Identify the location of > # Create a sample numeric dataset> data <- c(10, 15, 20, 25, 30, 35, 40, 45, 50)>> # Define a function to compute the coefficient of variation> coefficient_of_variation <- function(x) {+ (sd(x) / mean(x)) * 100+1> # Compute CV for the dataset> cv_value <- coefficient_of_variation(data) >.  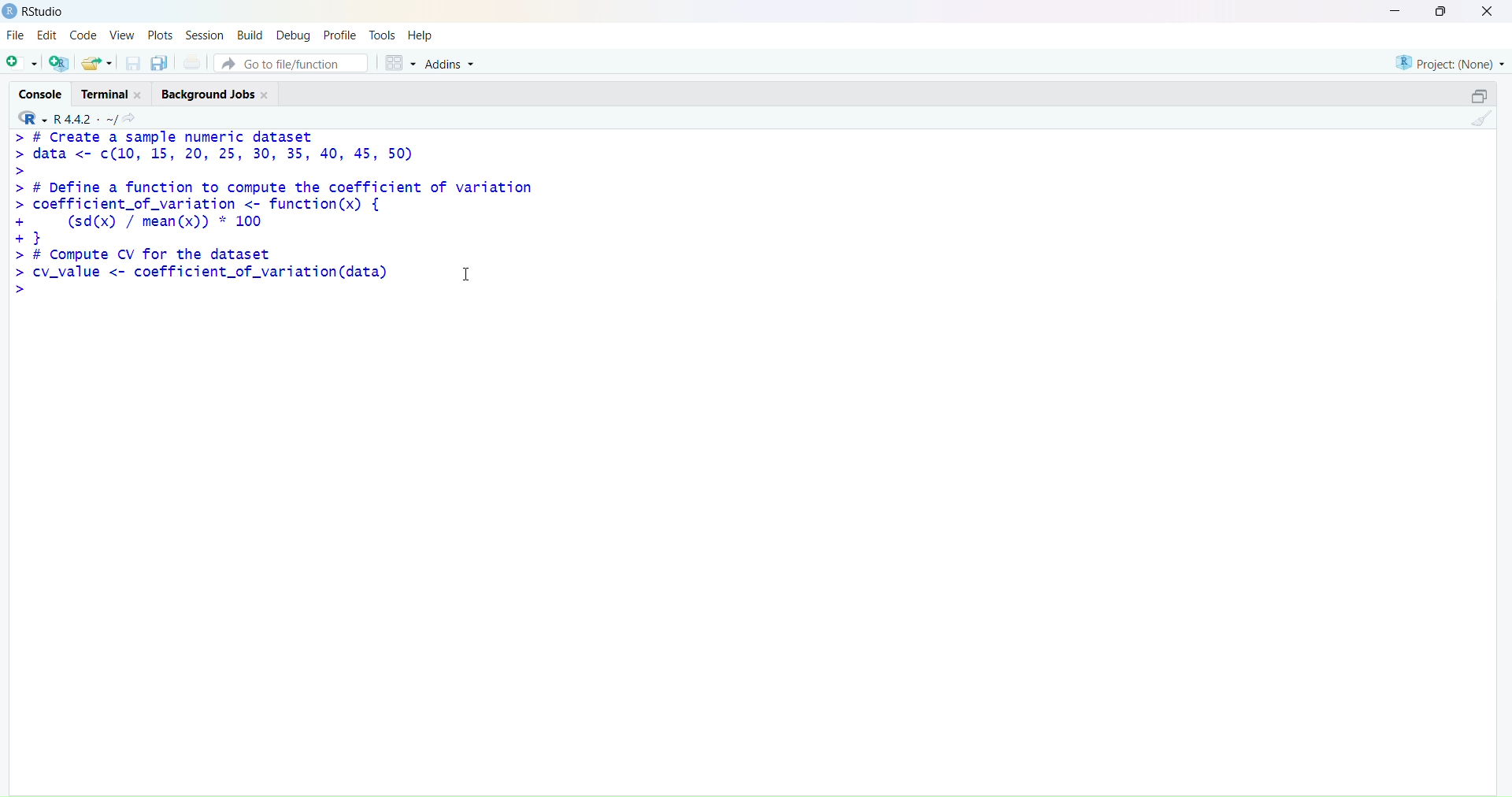
(281, 217).